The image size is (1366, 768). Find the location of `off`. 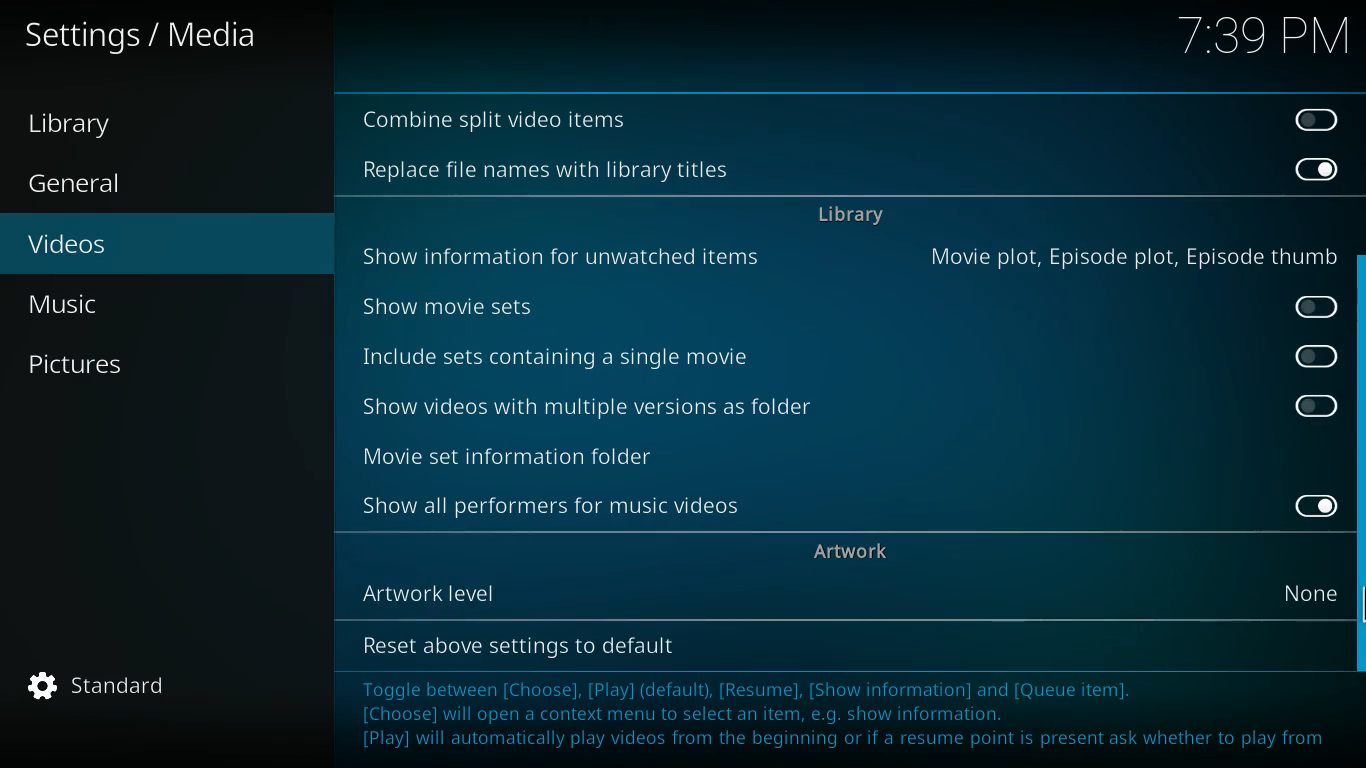

off is located at coordinates (1318, 357).